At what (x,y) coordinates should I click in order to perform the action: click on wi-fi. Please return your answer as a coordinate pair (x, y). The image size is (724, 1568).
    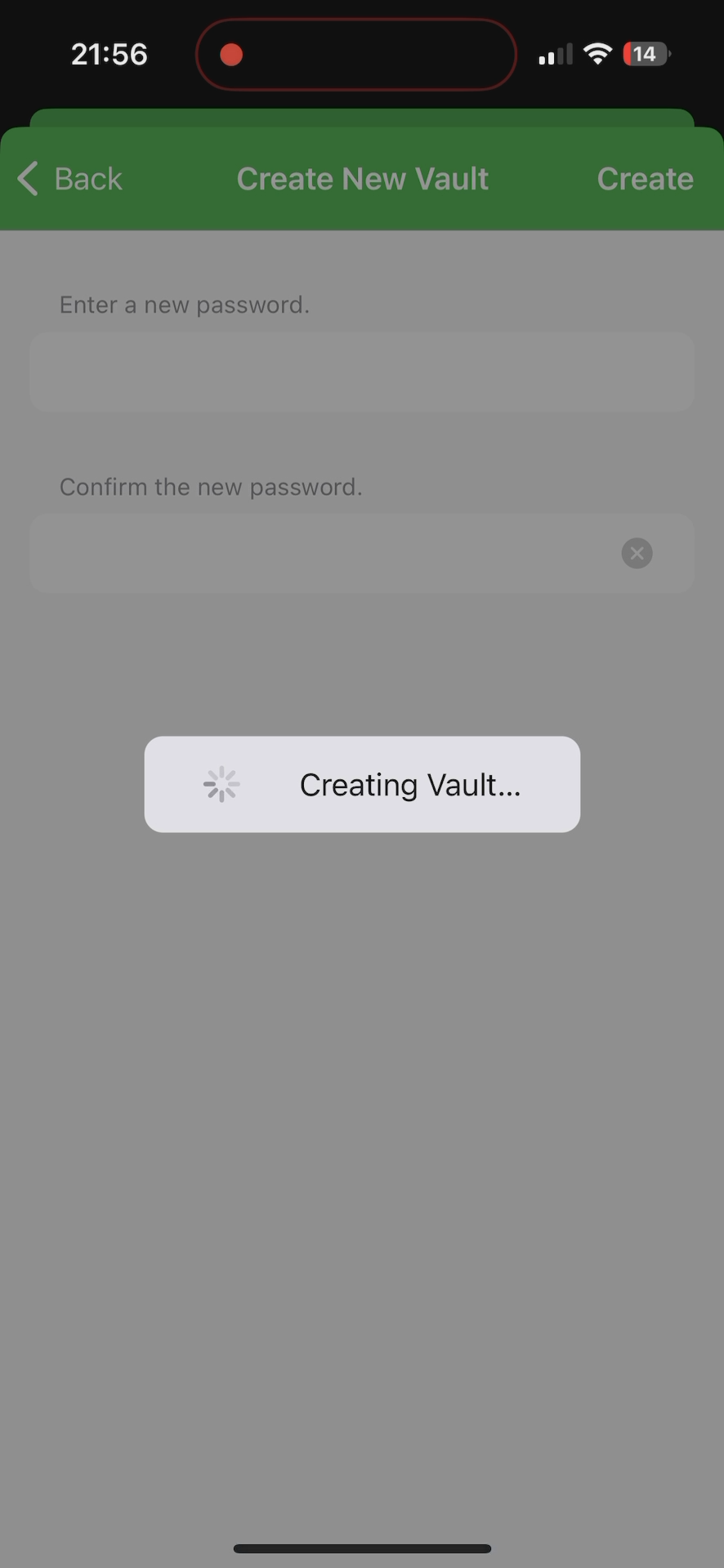
    Looking at the image, I should click on (599, 60).